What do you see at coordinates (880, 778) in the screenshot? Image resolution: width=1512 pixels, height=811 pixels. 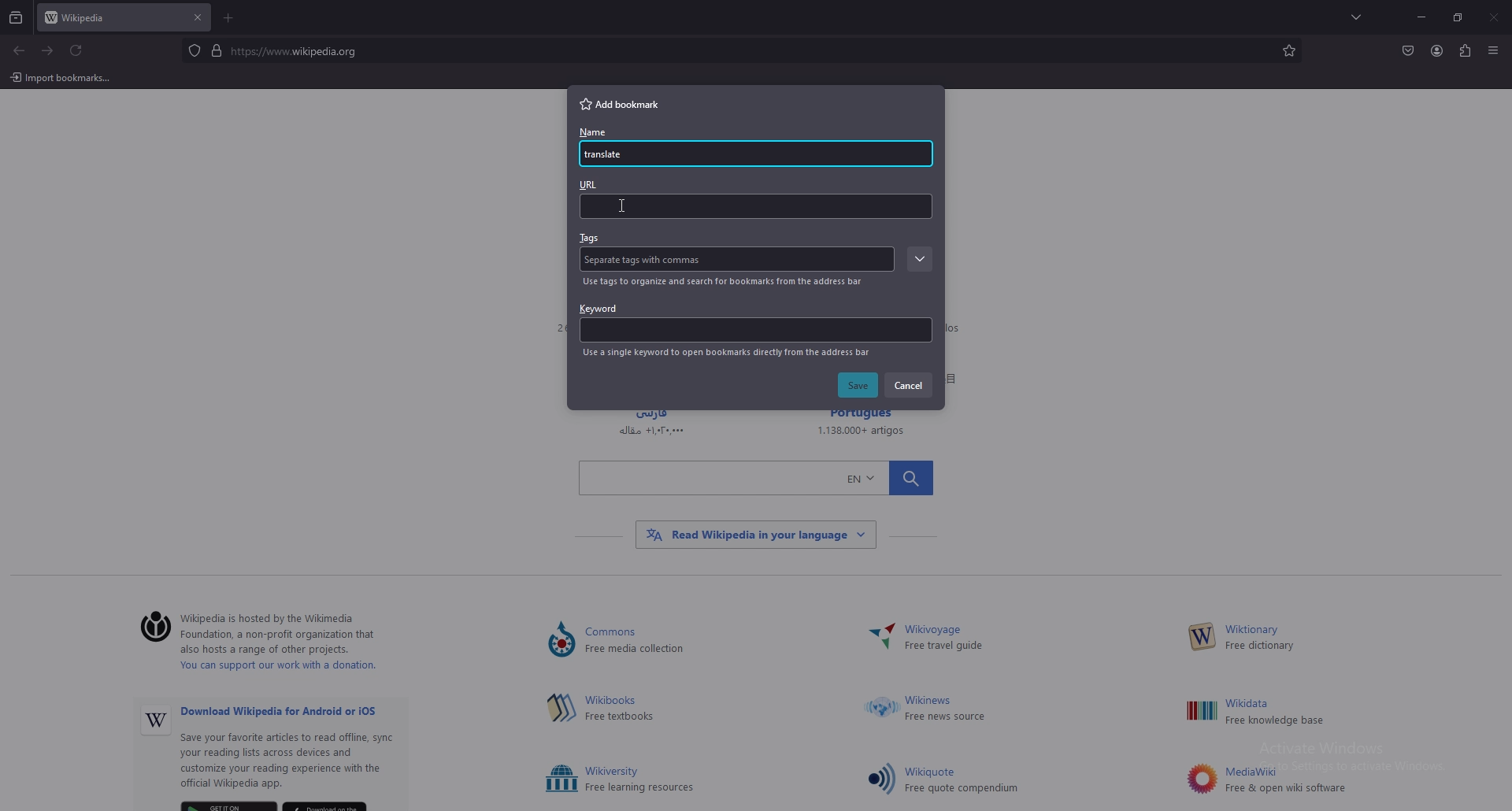 I see `` at bounding box center [880, 778].